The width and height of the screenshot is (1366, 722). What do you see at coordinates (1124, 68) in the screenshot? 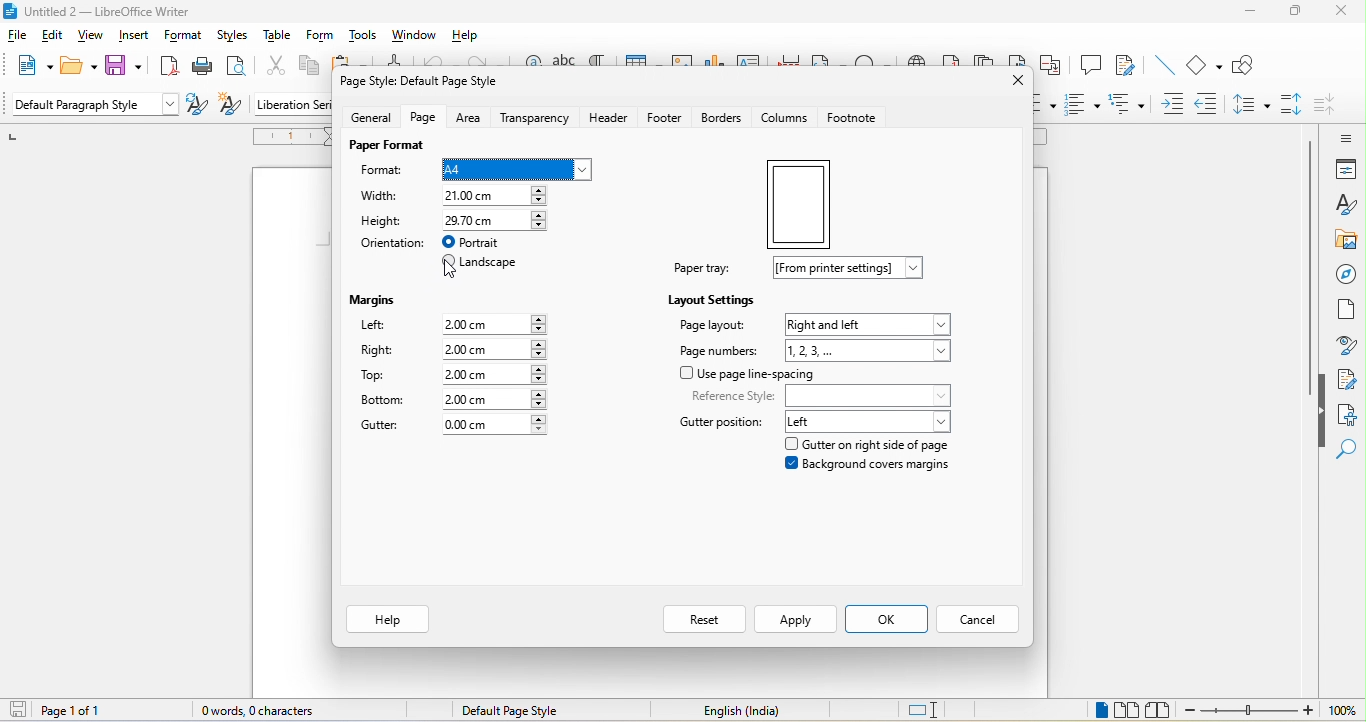
I see `track change functions` at bounding box center [1124, 68].